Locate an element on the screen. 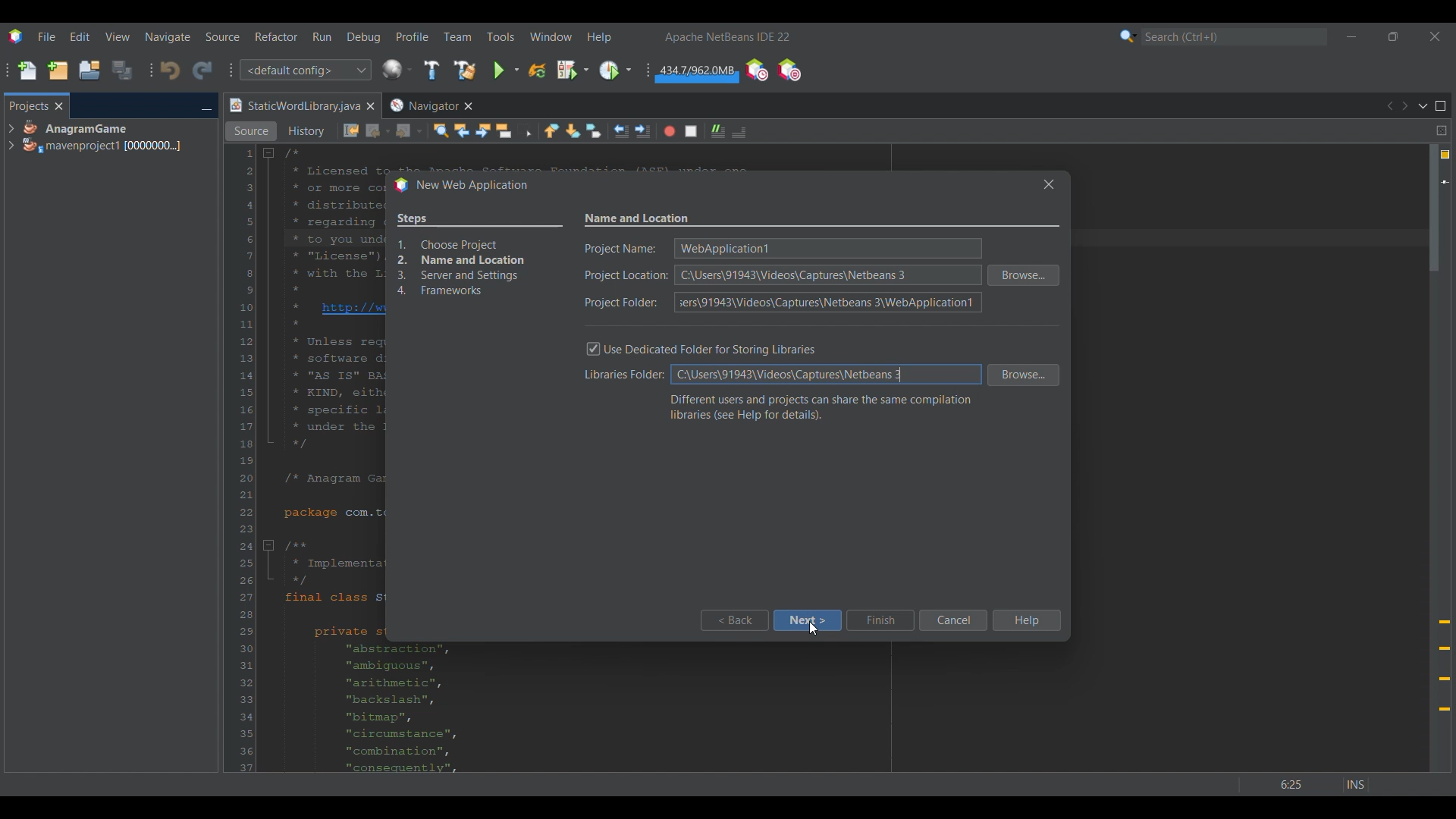 Image resolution: width=1456 pixels, height=819 pixels. Save all is located at coordinates (122, 70).